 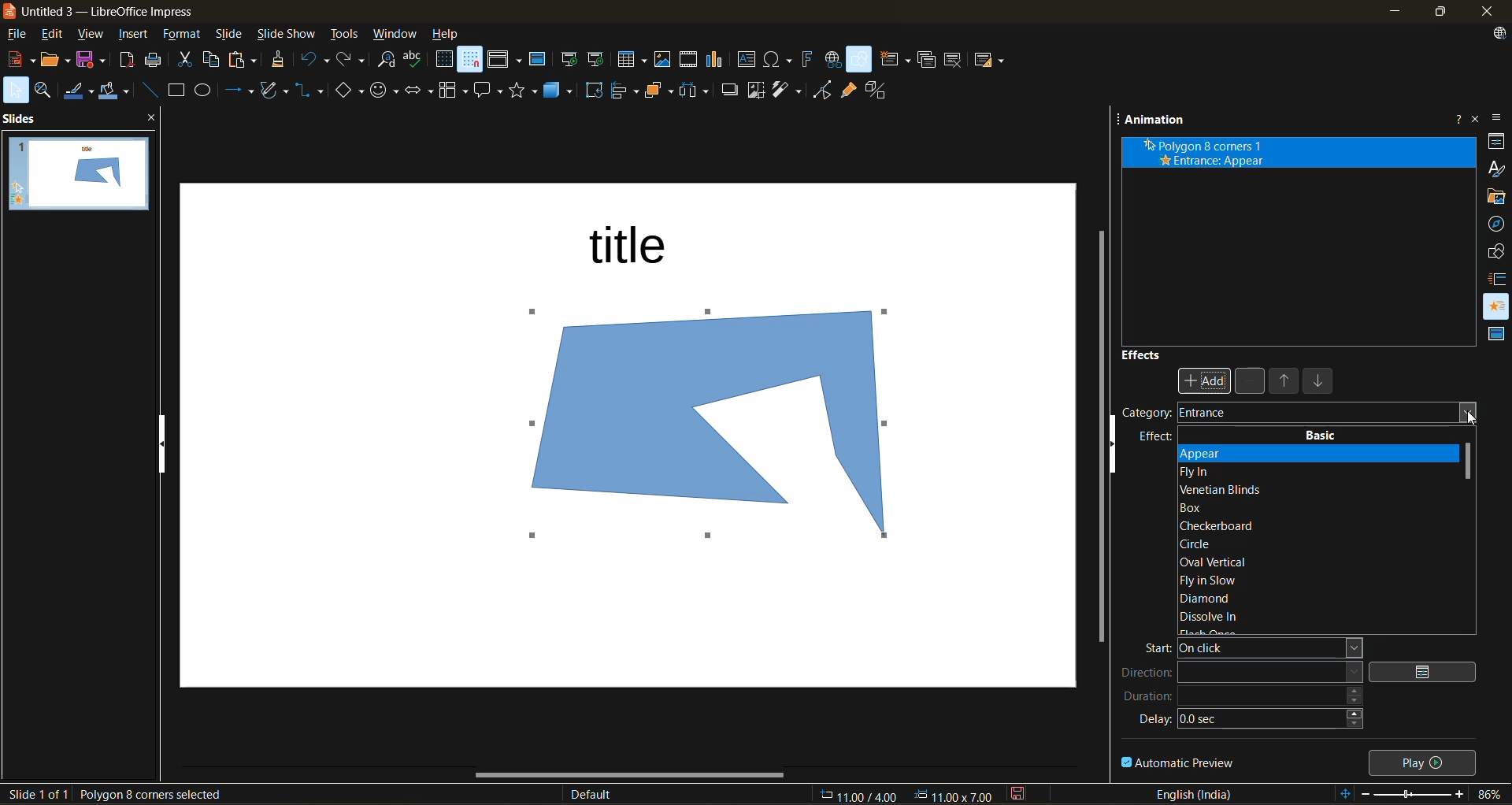 What do you see at coordinates (1209, 454) in the screenshot?
I see `appear` at bounding box center [1209, 454].